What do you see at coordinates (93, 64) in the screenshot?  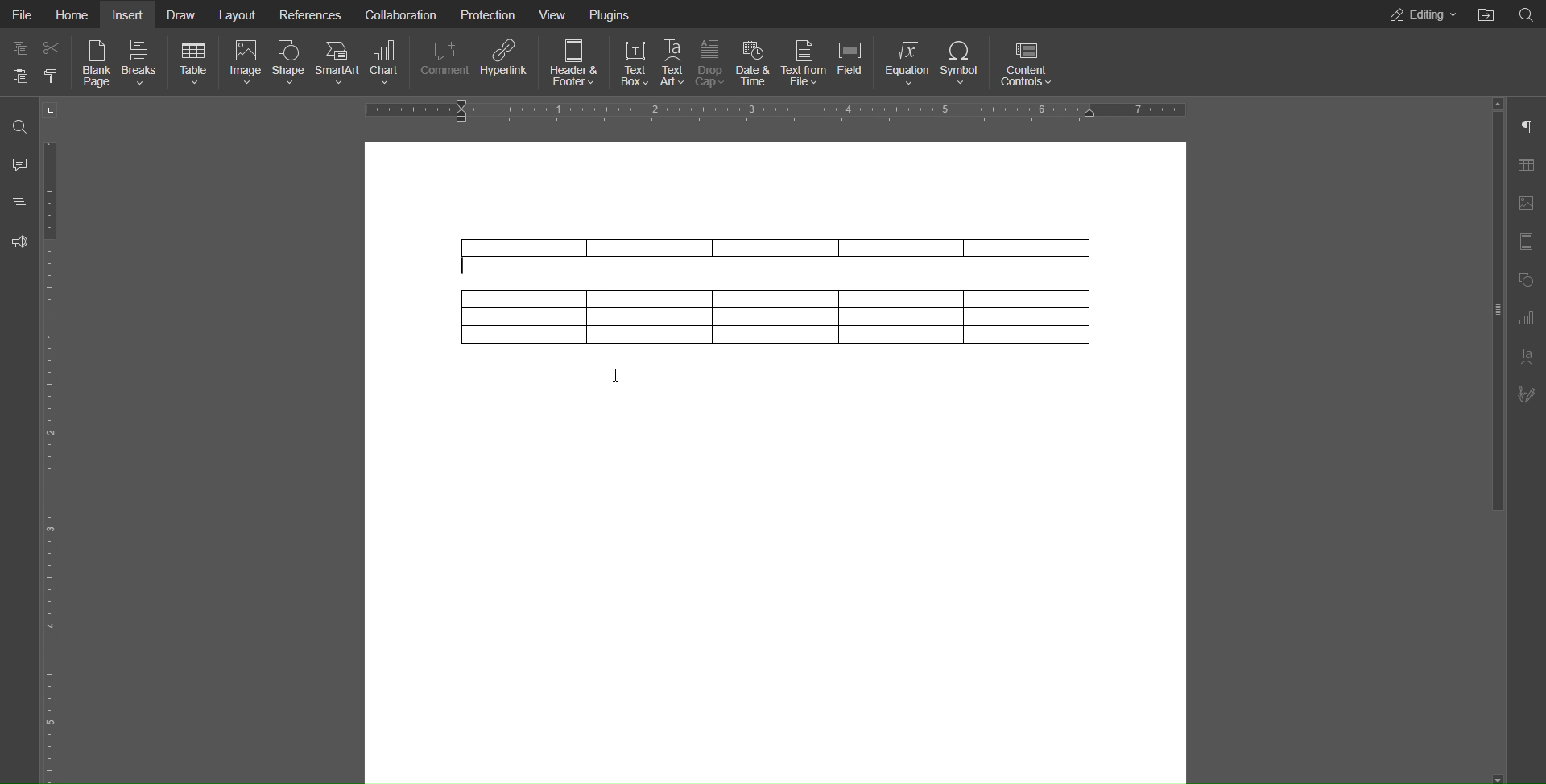 I see `Blank Page` at bounding box center [93, 64].